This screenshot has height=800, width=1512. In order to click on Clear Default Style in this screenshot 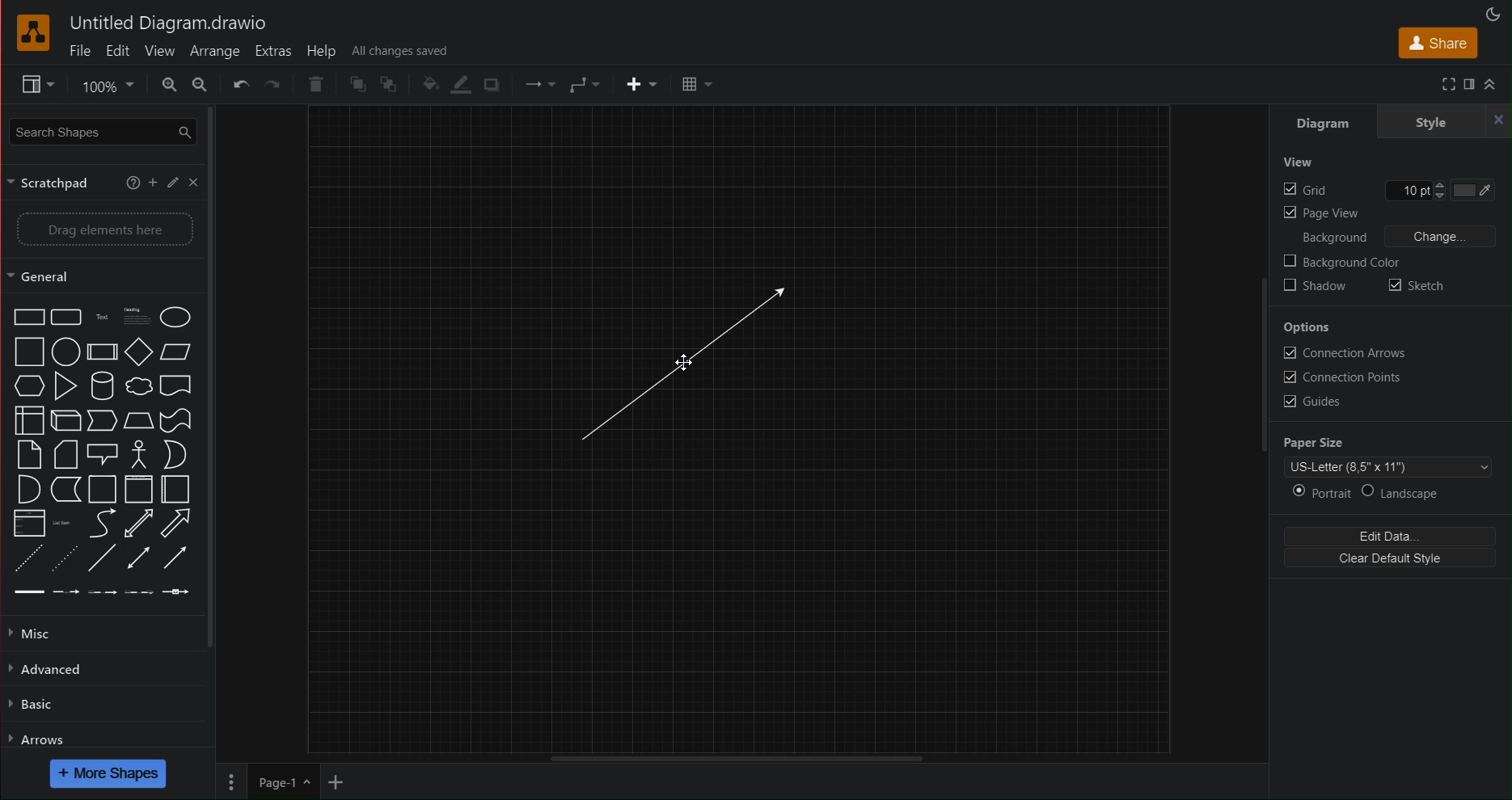, I will do `click(1392, 561)`.